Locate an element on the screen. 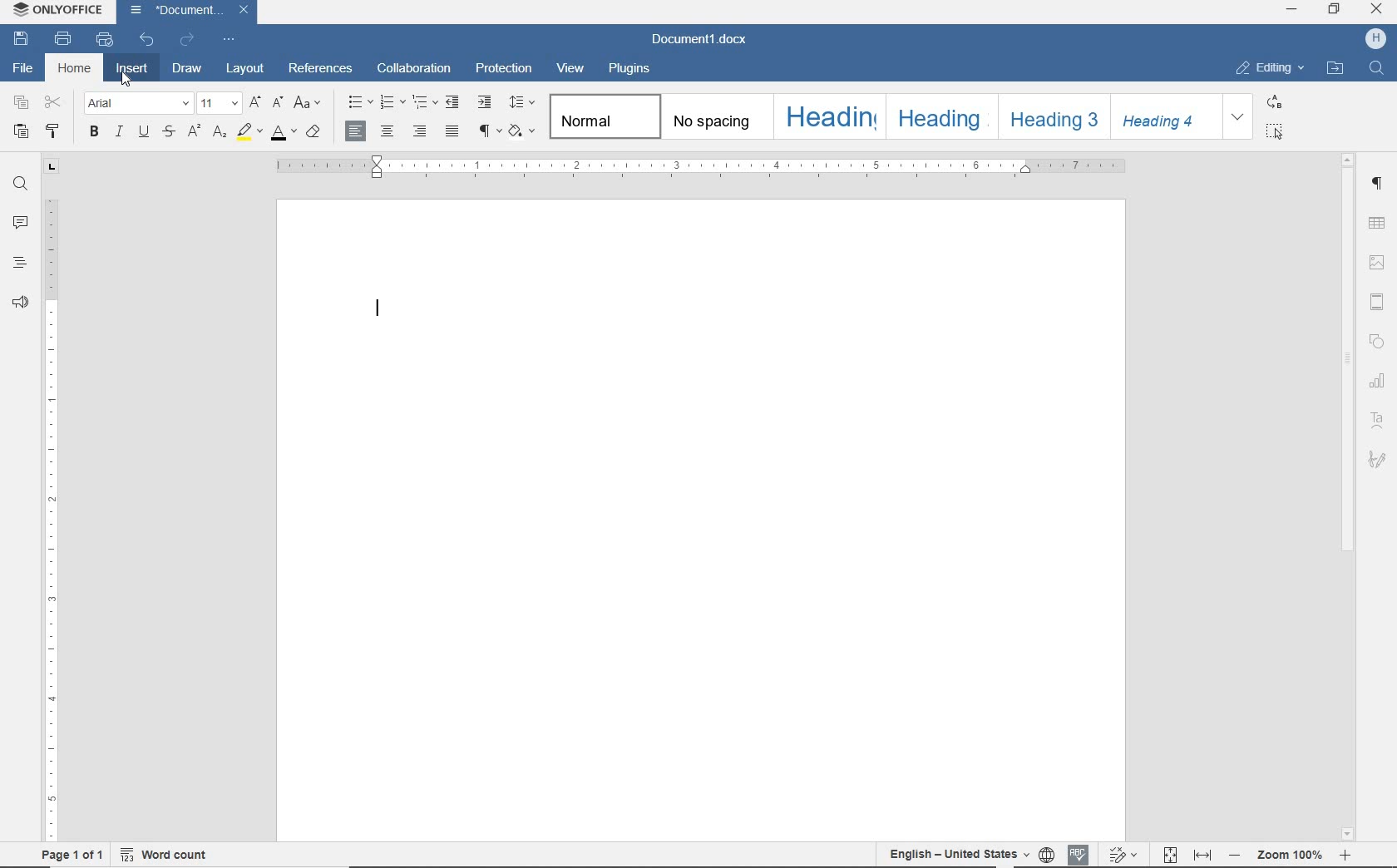 The width and height of the screenshot is (1397, 868). fit to width is located at coordinates (1202, 856).